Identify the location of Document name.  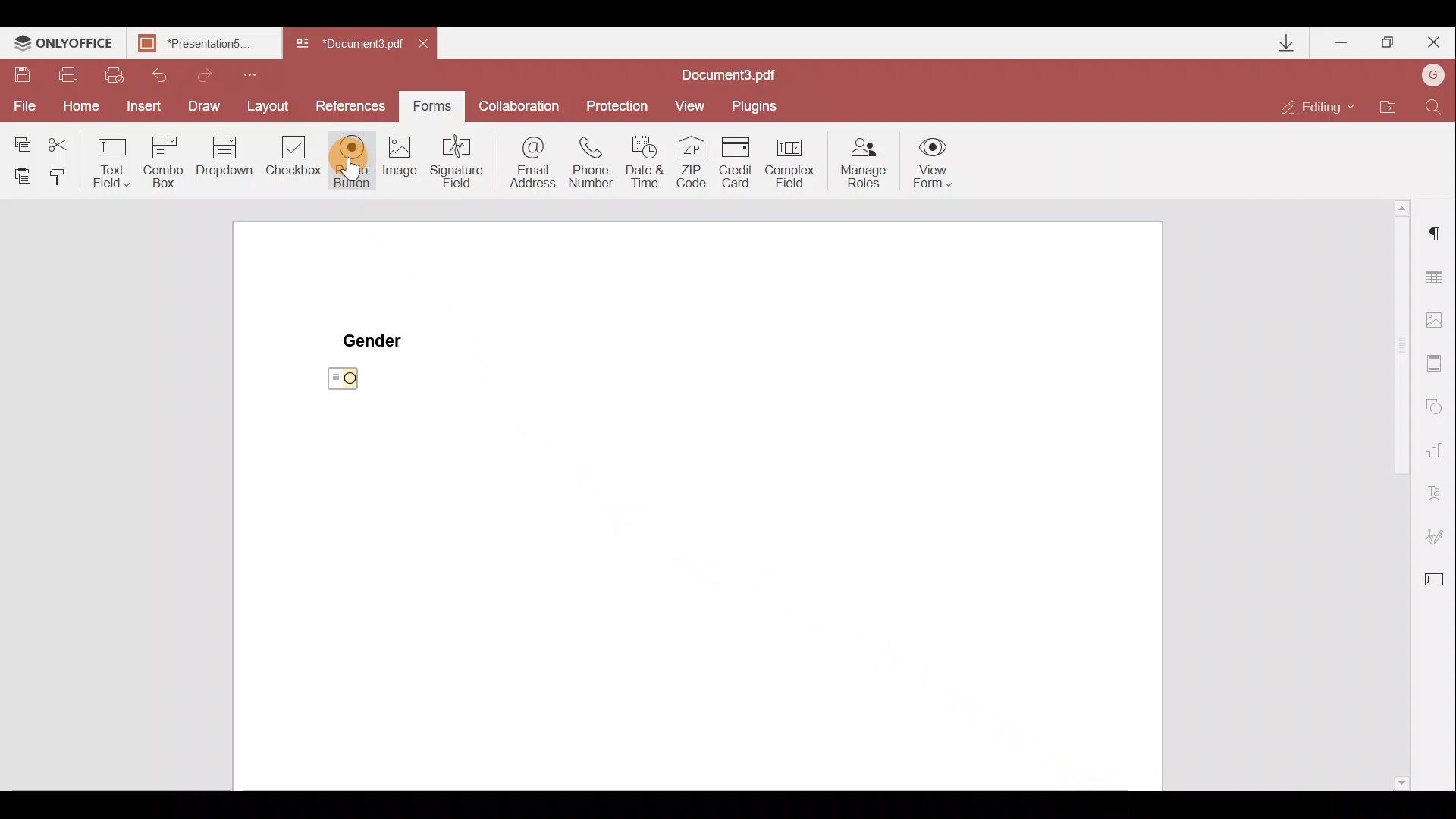
(733, 73).